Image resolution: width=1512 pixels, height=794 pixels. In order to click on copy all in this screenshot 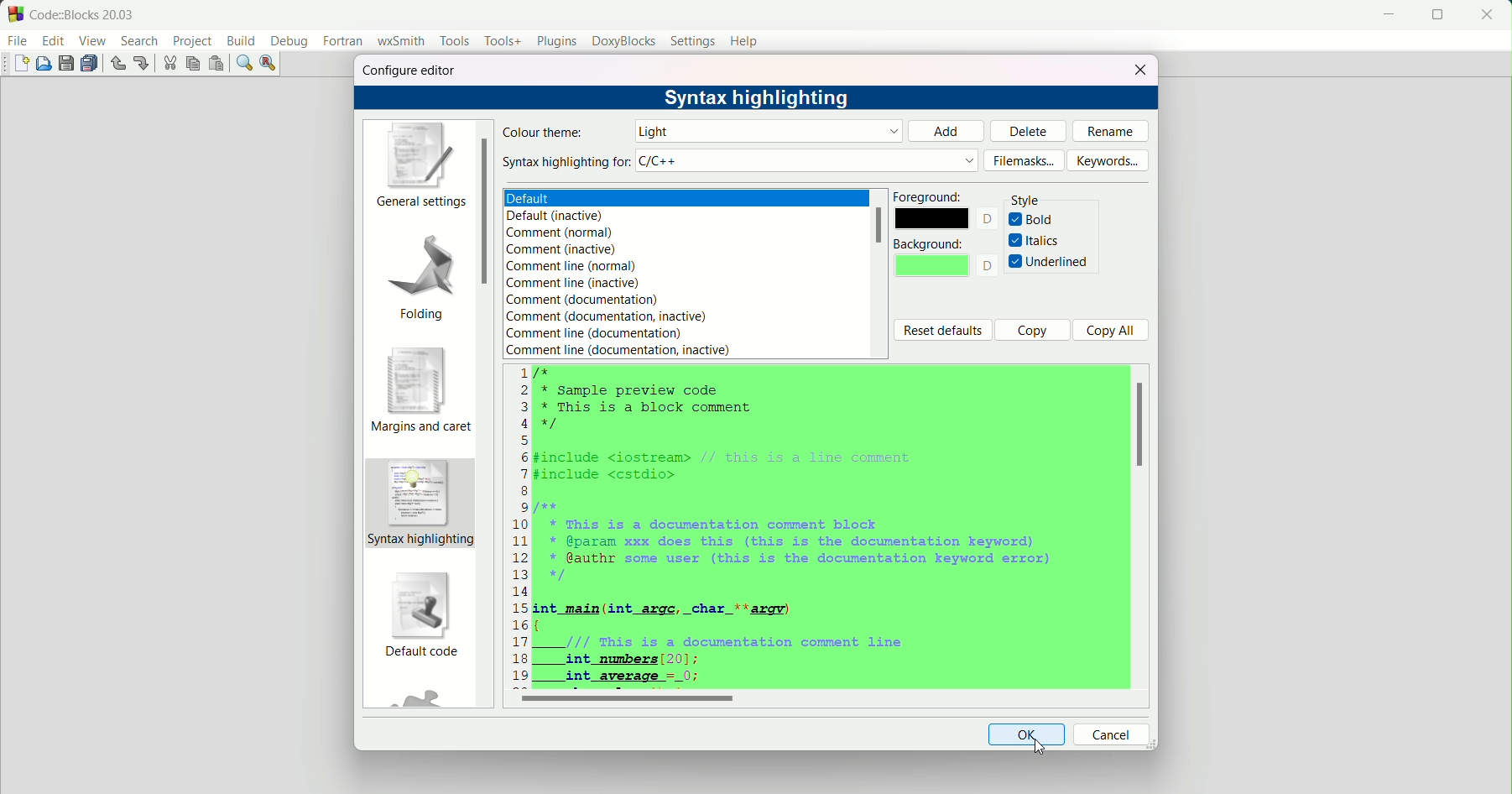, I will do `click(1110, 331)`.